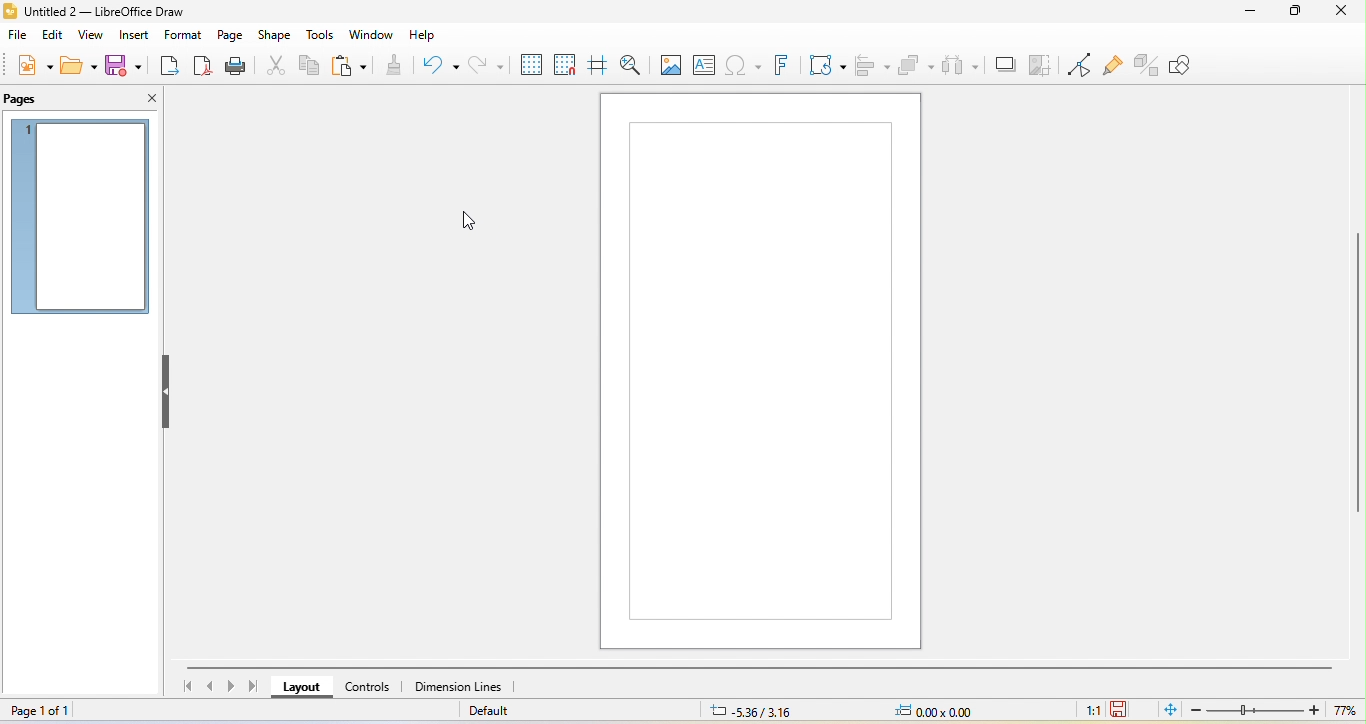 This screenshot has width=1366, height=724. Describe the element at coordinates (765, 372) in the screenshot. I see `Changed the canvas size ` at that location.